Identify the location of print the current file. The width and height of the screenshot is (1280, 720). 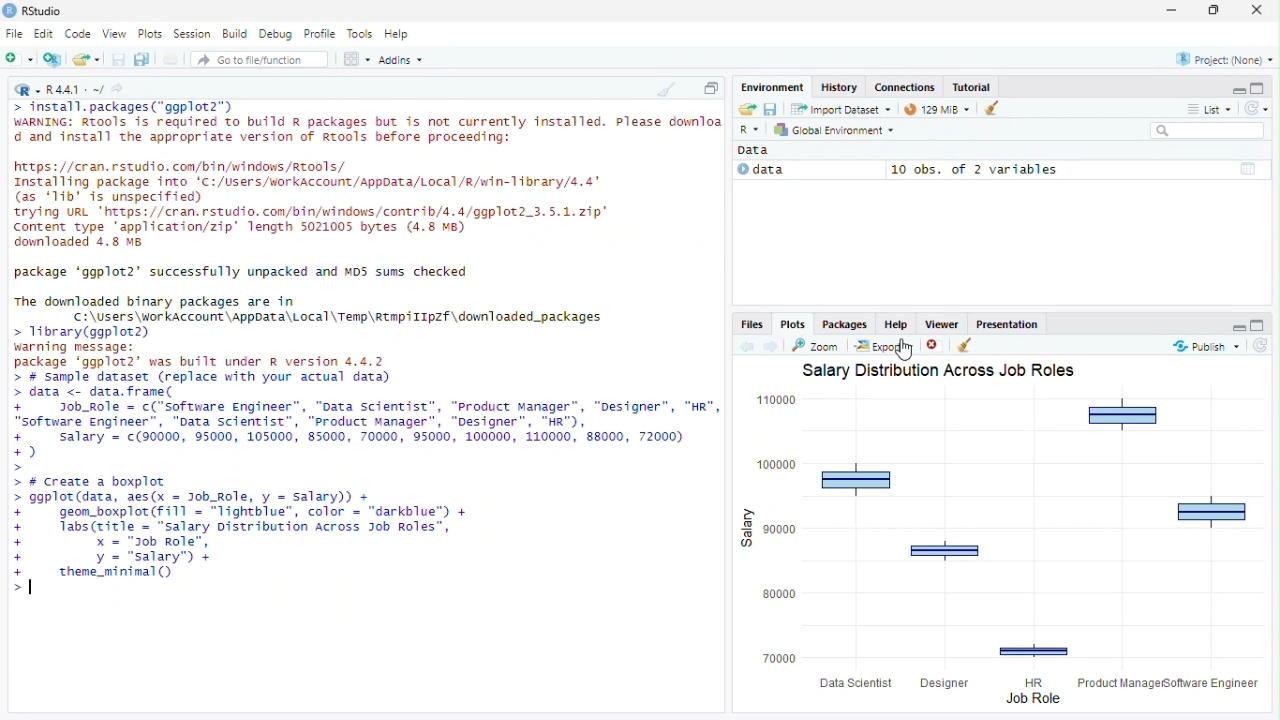
(172, 59).